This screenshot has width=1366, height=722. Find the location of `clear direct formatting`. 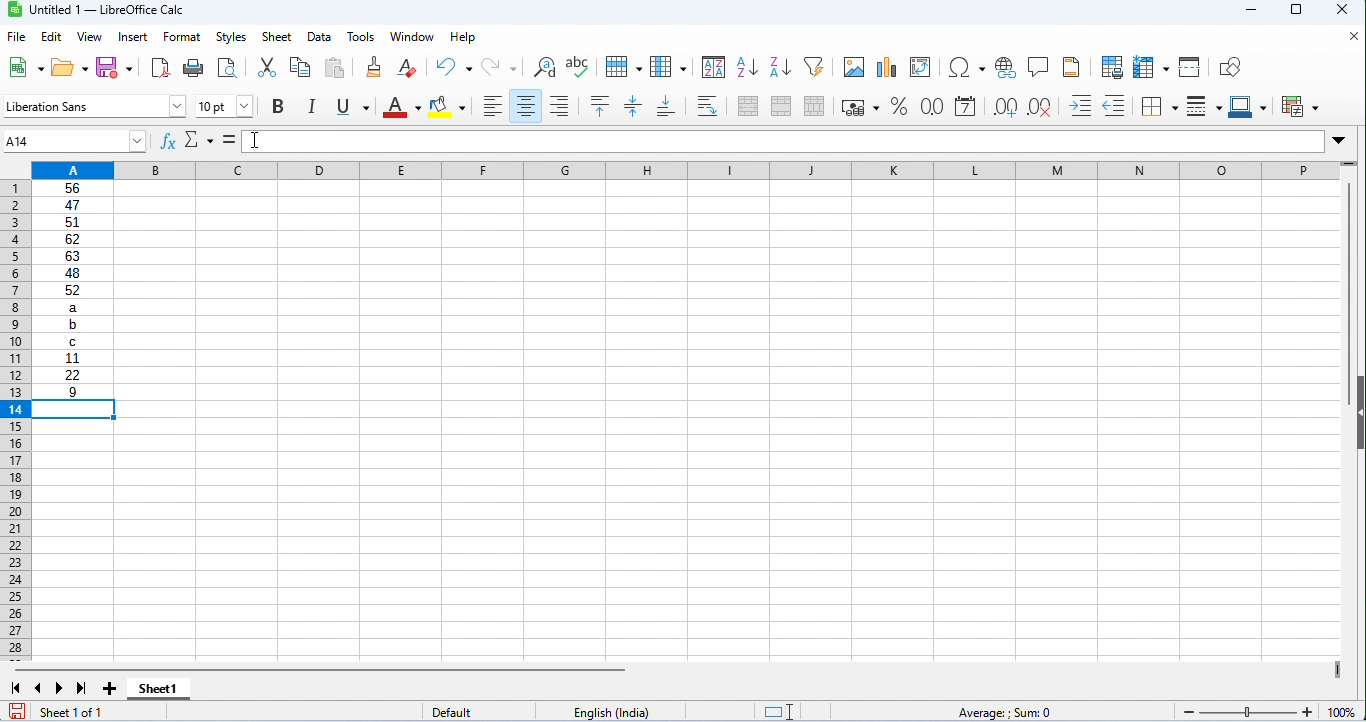

clear direct formatting is located at coordinates (407, 68).